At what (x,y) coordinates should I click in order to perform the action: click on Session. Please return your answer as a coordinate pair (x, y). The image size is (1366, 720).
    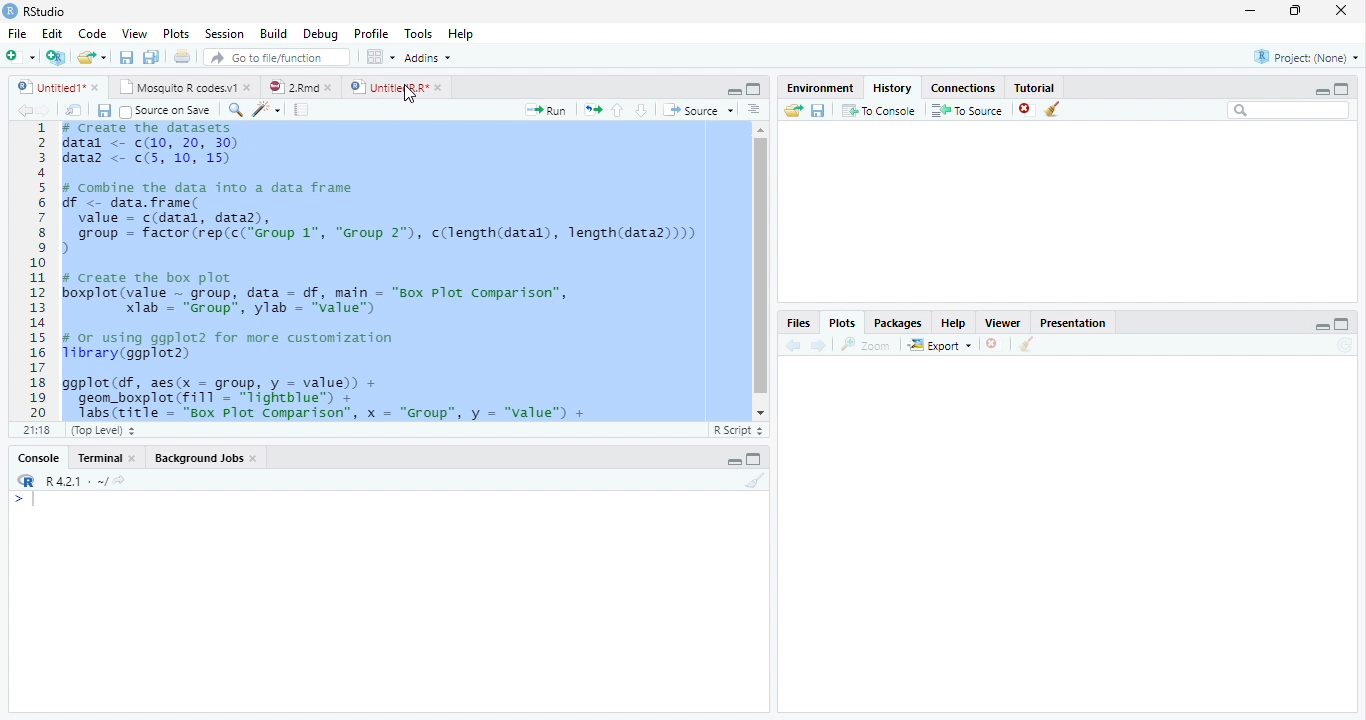
    Looking at the image, I should click on (222, 33).